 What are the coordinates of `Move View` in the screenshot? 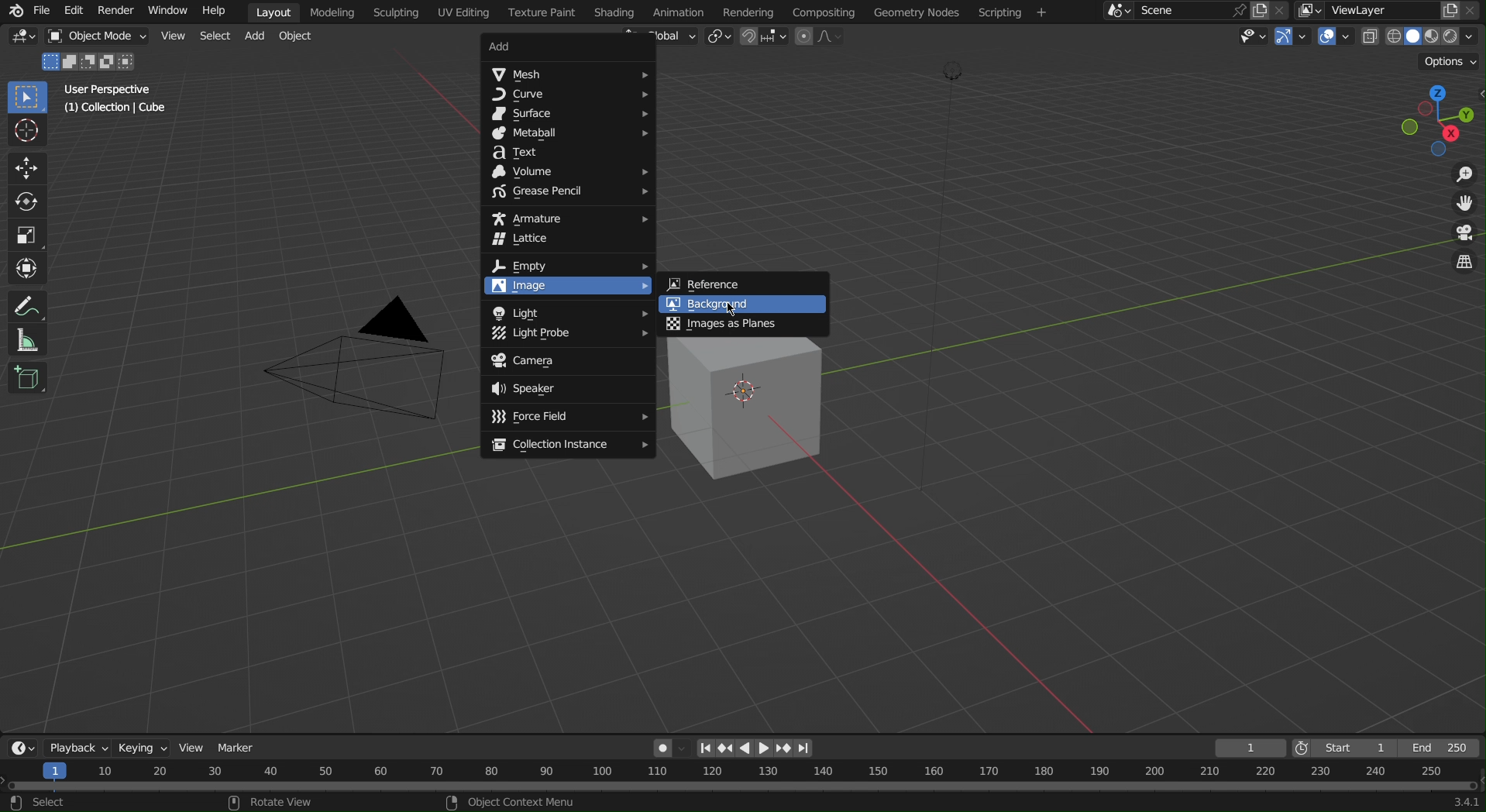 It's located at (1464, 206).